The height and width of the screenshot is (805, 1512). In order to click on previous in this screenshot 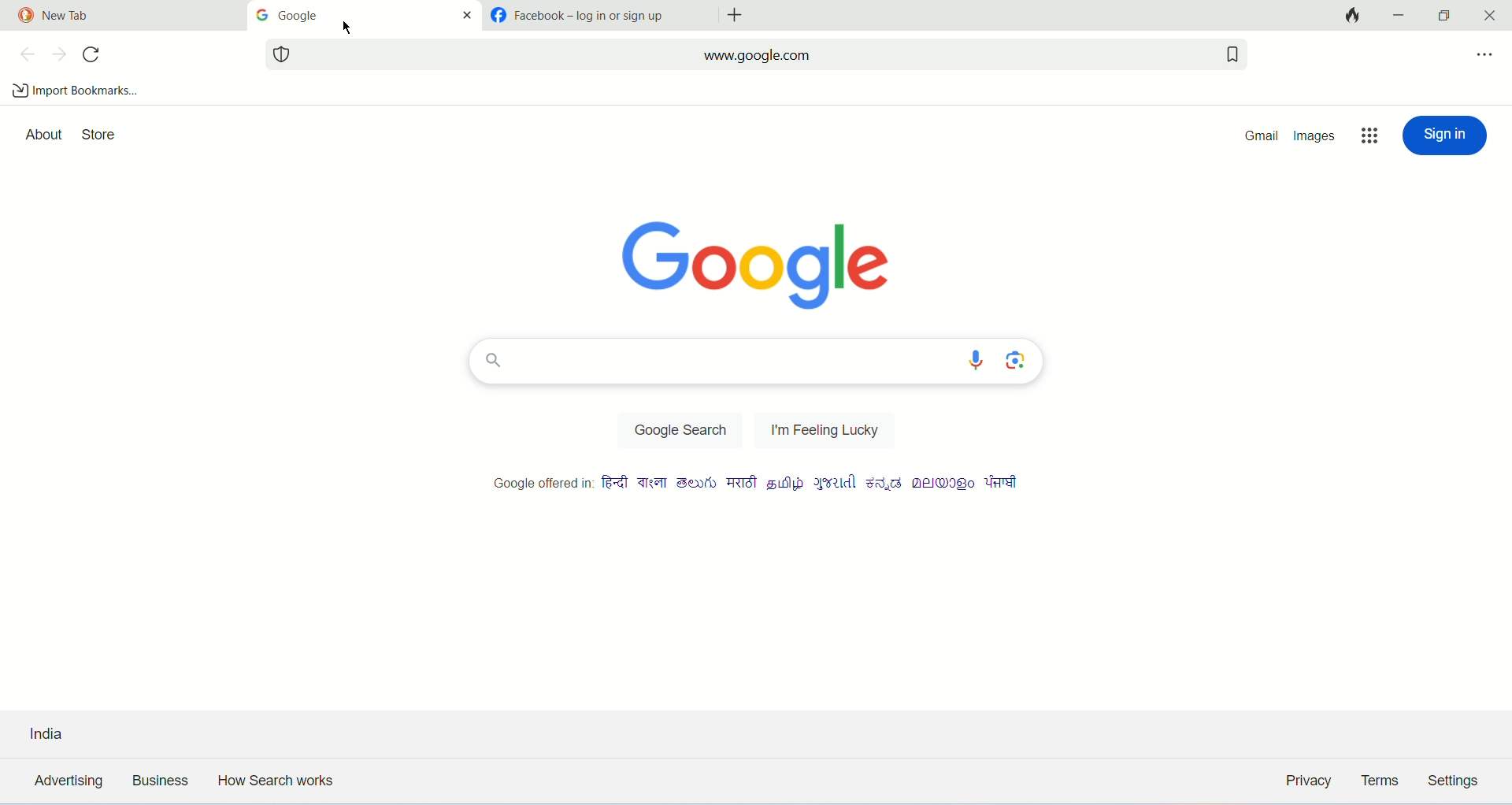, I will do `click(24, 54)`.